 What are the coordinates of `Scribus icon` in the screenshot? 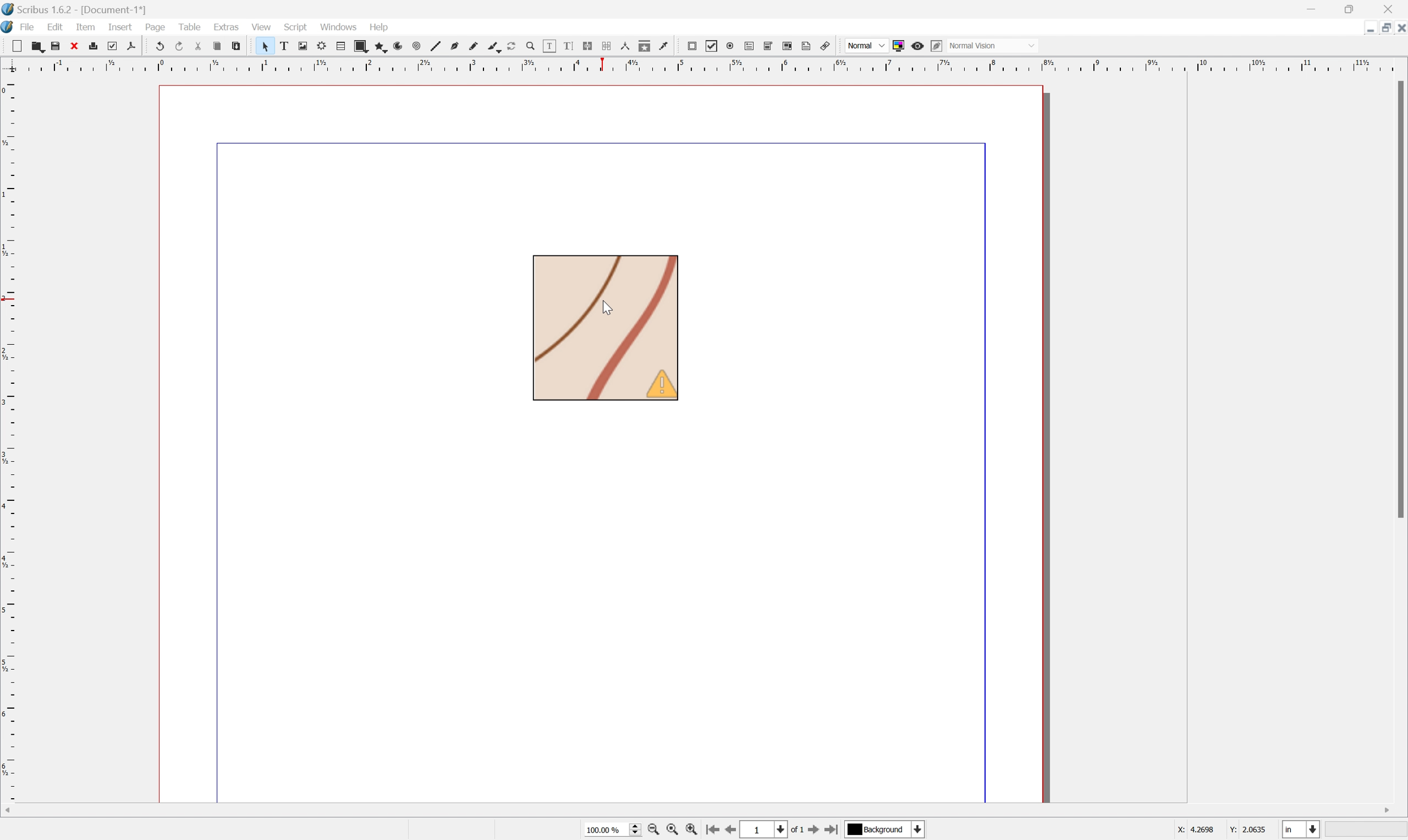 It's located at (9, 27).